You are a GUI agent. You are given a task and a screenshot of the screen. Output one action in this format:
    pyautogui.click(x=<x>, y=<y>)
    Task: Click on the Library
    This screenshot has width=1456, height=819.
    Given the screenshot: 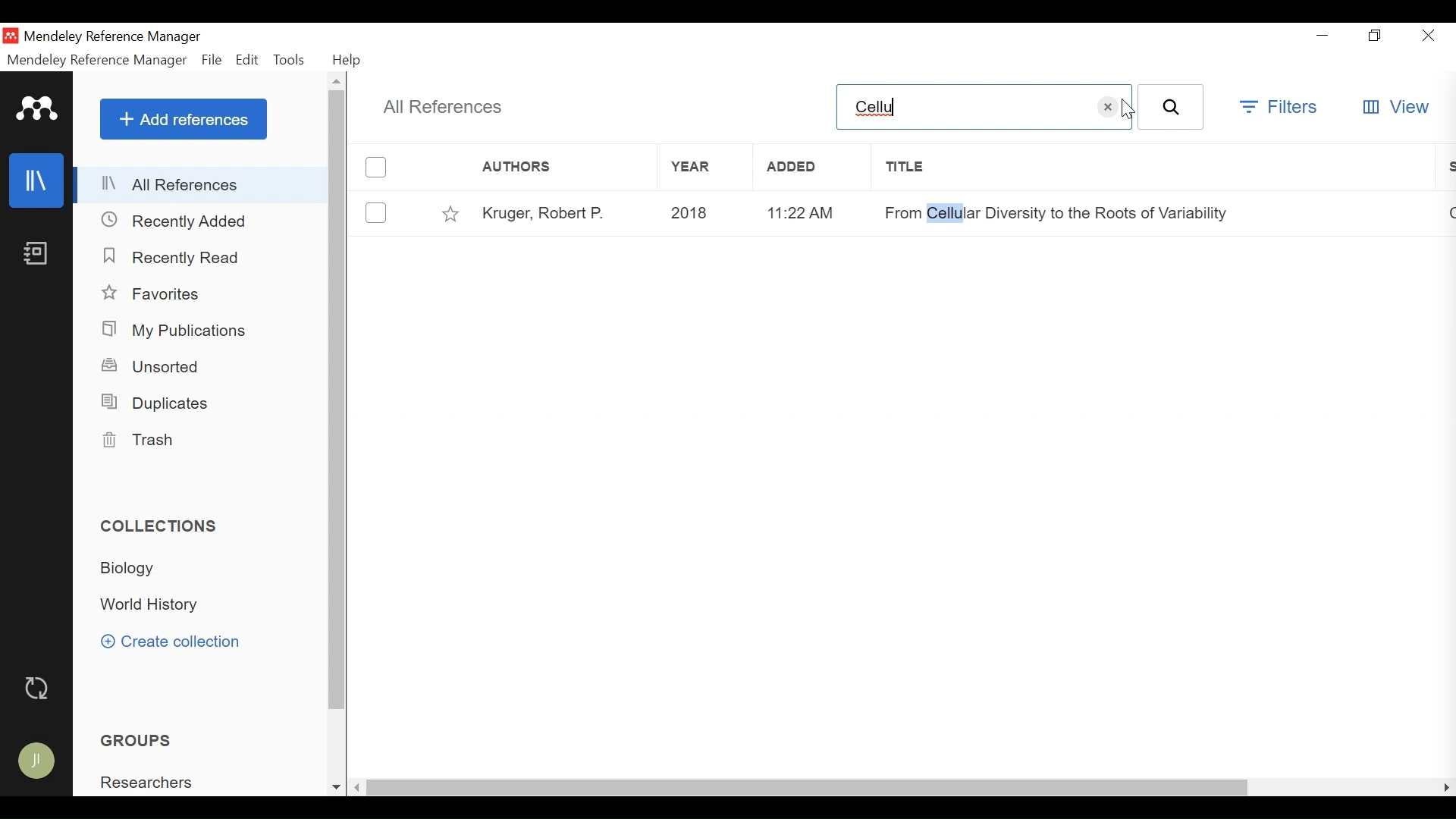 What is the action you would take?
    pyautogui.click(x=36, y=180)
    